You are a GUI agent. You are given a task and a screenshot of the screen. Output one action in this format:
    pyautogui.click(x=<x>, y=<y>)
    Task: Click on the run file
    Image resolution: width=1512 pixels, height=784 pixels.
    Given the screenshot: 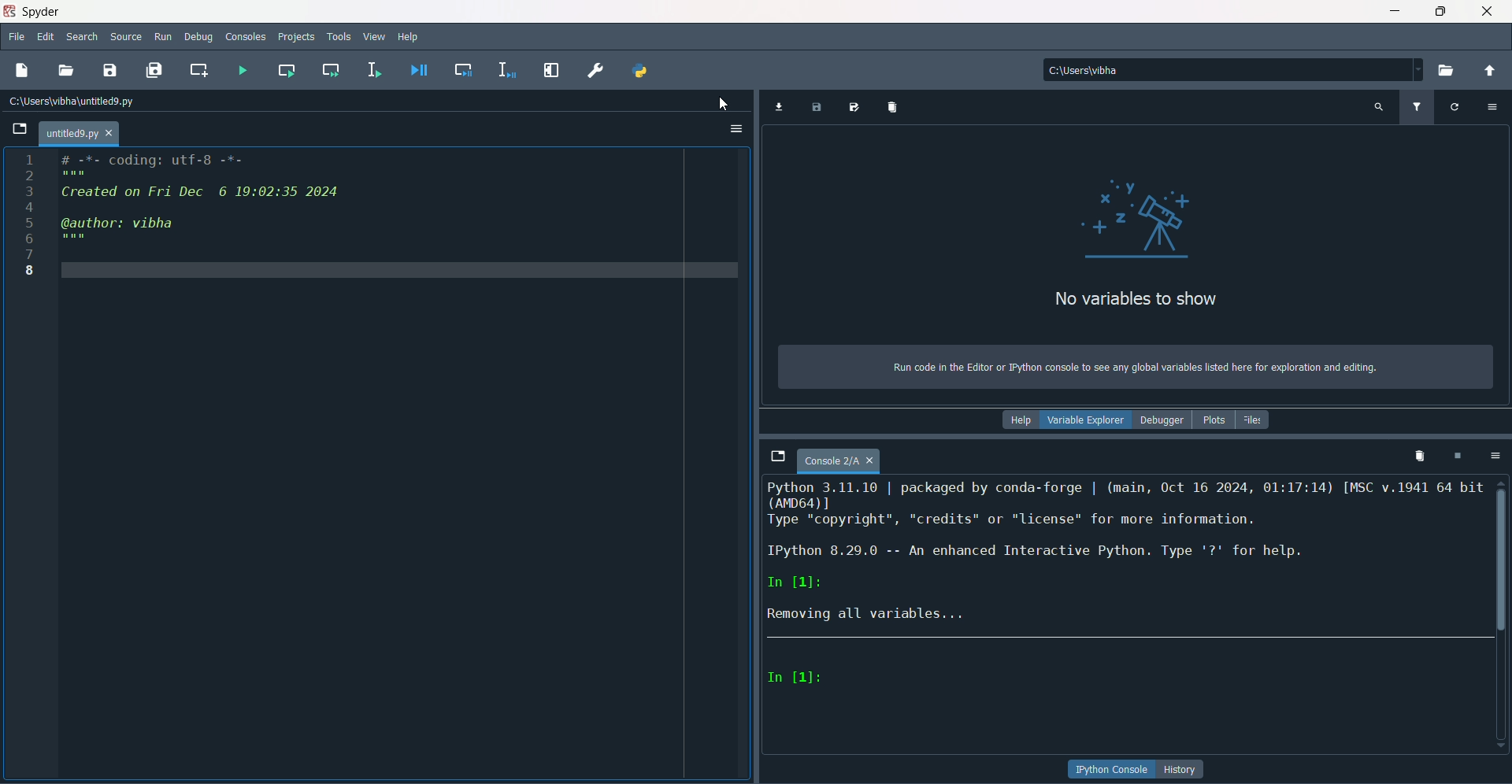 What is the action you would take?
    pyautogui.click(x=239, y=69)
    